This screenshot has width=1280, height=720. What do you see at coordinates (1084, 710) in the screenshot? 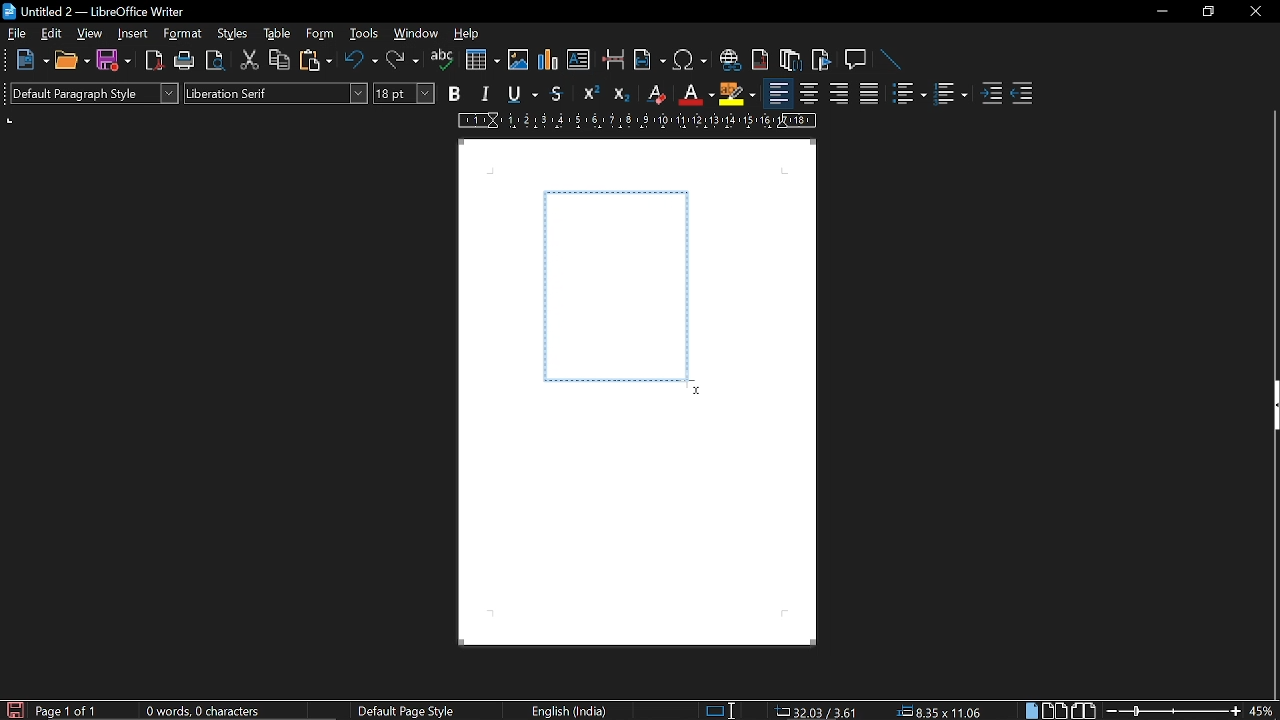
I see `book view` at bounding box center [1084, 710].